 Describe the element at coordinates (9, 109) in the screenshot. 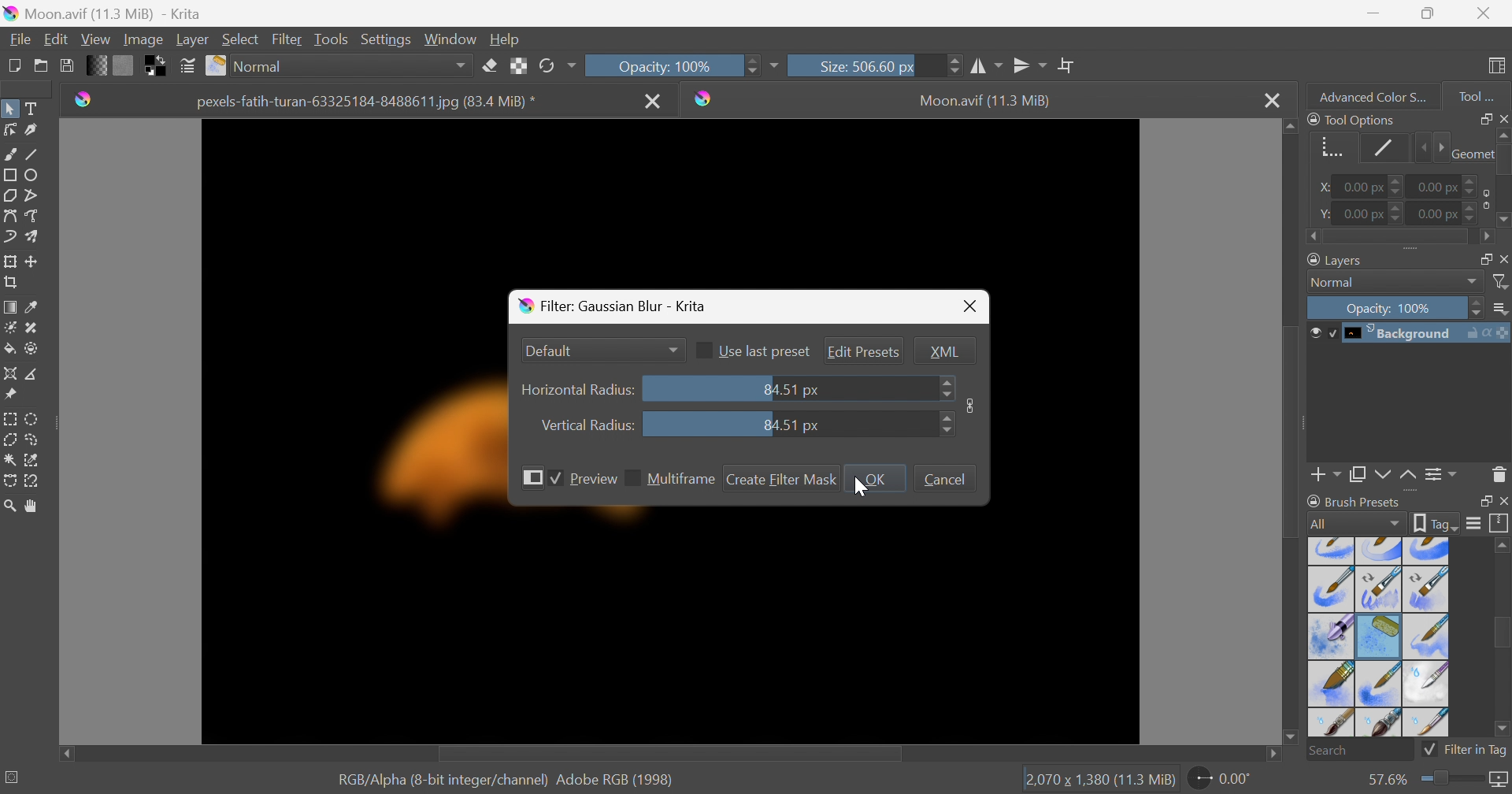

I see `Select shapes tool` at that location.